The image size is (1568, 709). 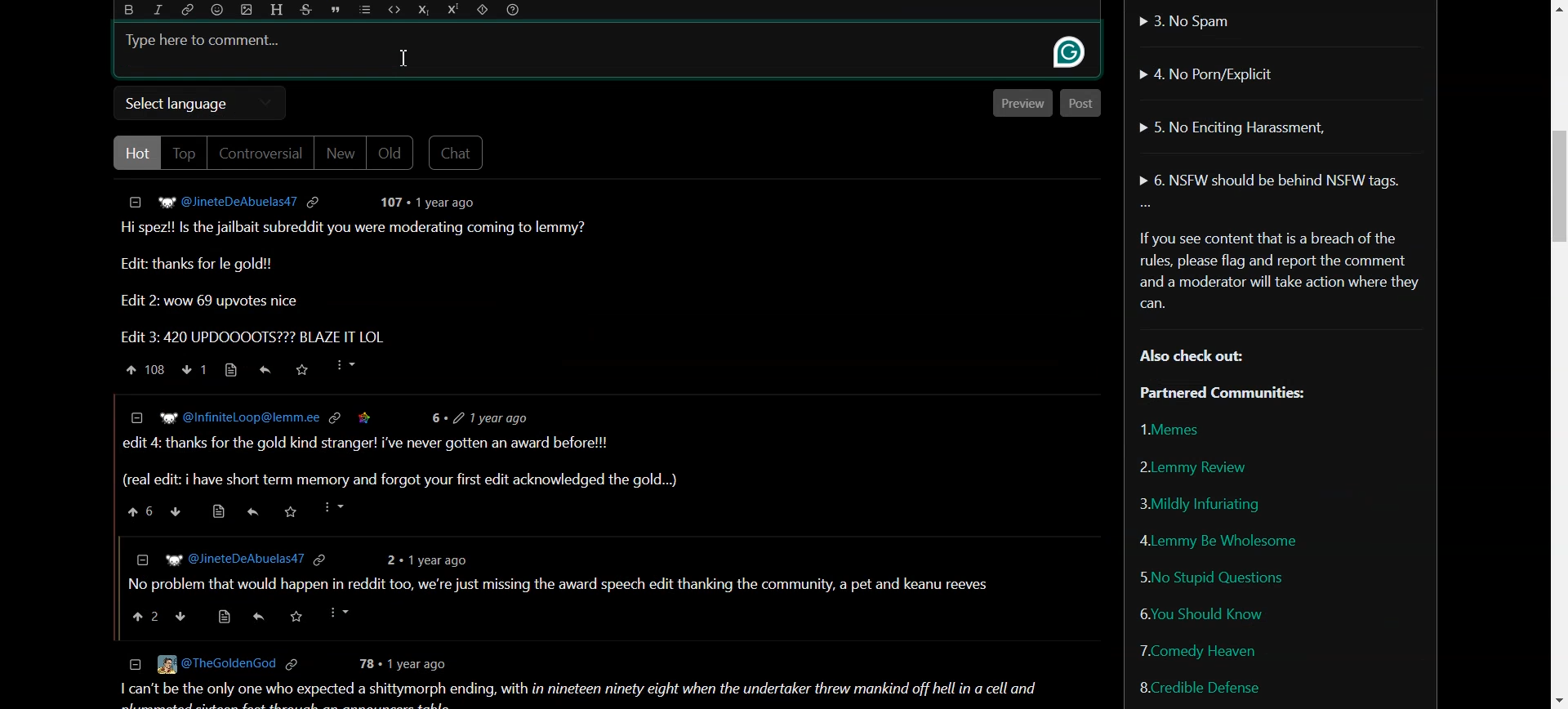 I want to click on Subscript, so click(x=424, y=10).